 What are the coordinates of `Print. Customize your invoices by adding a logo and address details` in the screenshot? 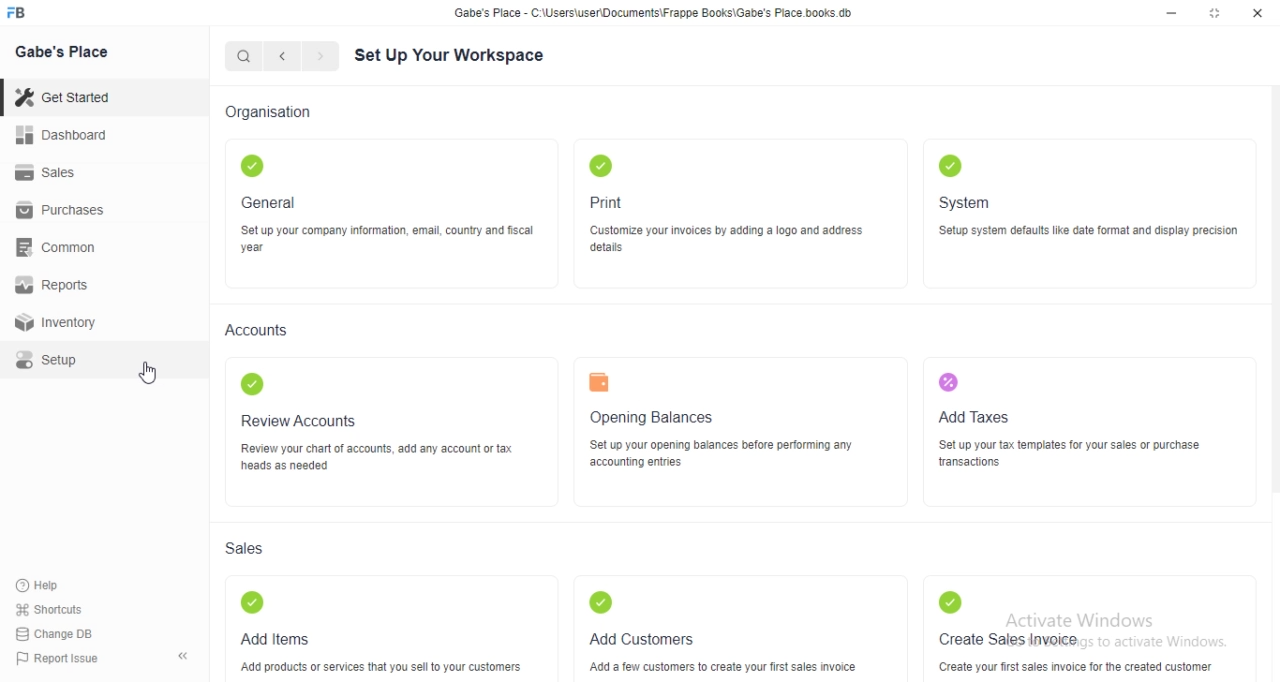 It's located at (739, 208).